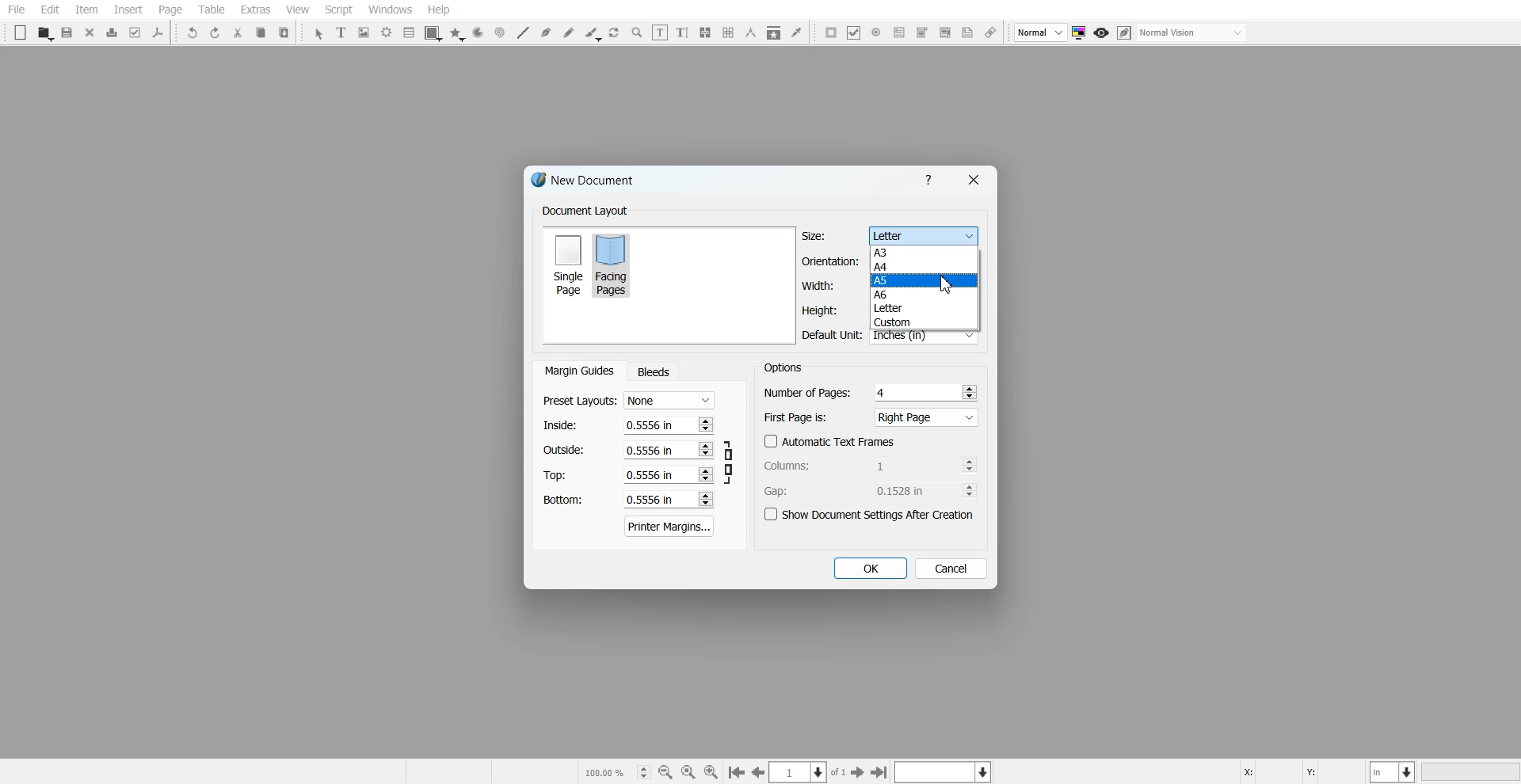 This screenshot has width=1521, height=784. I want to click on Render Frame, so click(387, 32).